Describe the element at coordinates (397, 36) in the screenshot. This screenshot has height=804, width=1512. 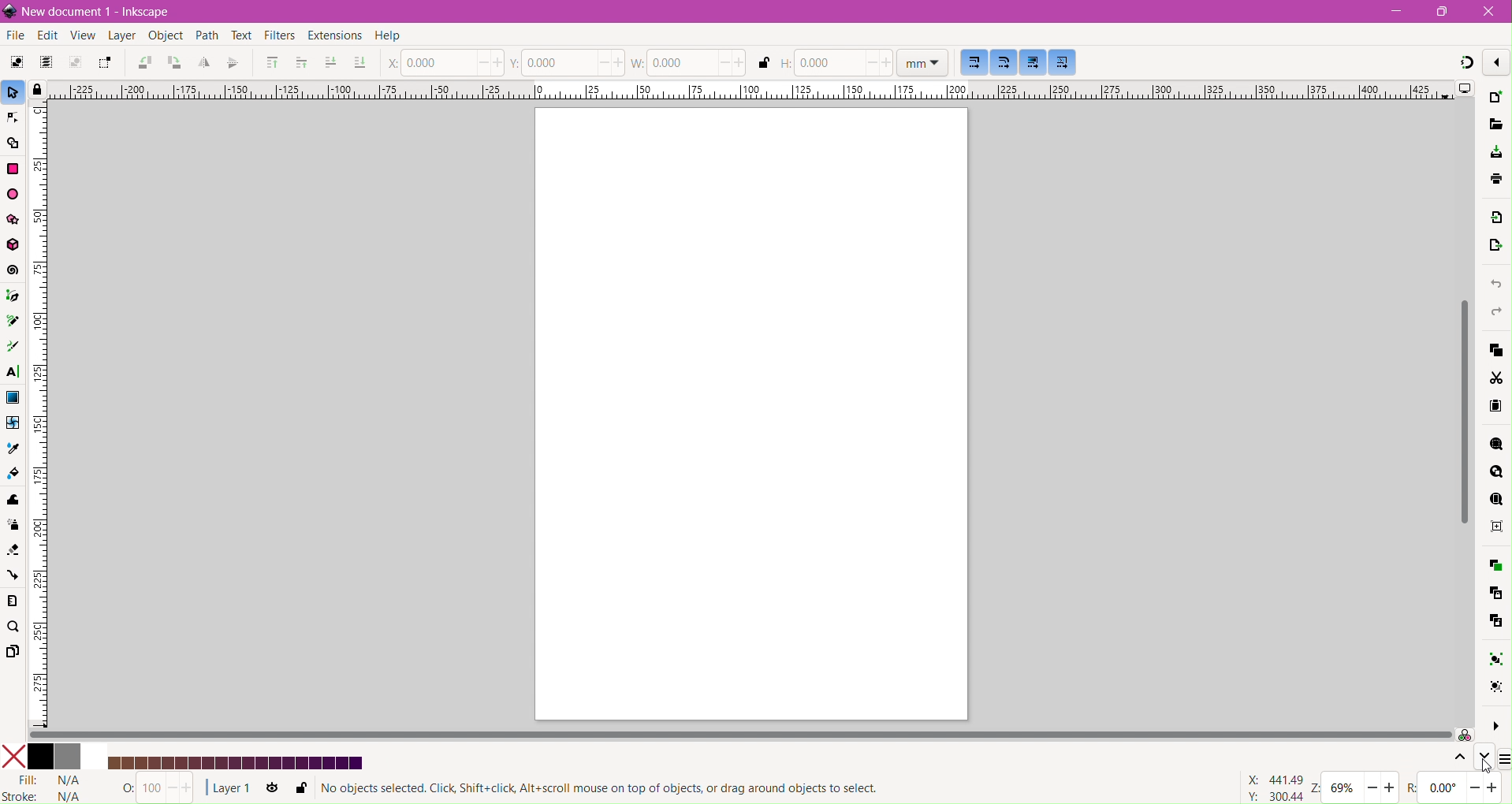
I see `Help` at that location.